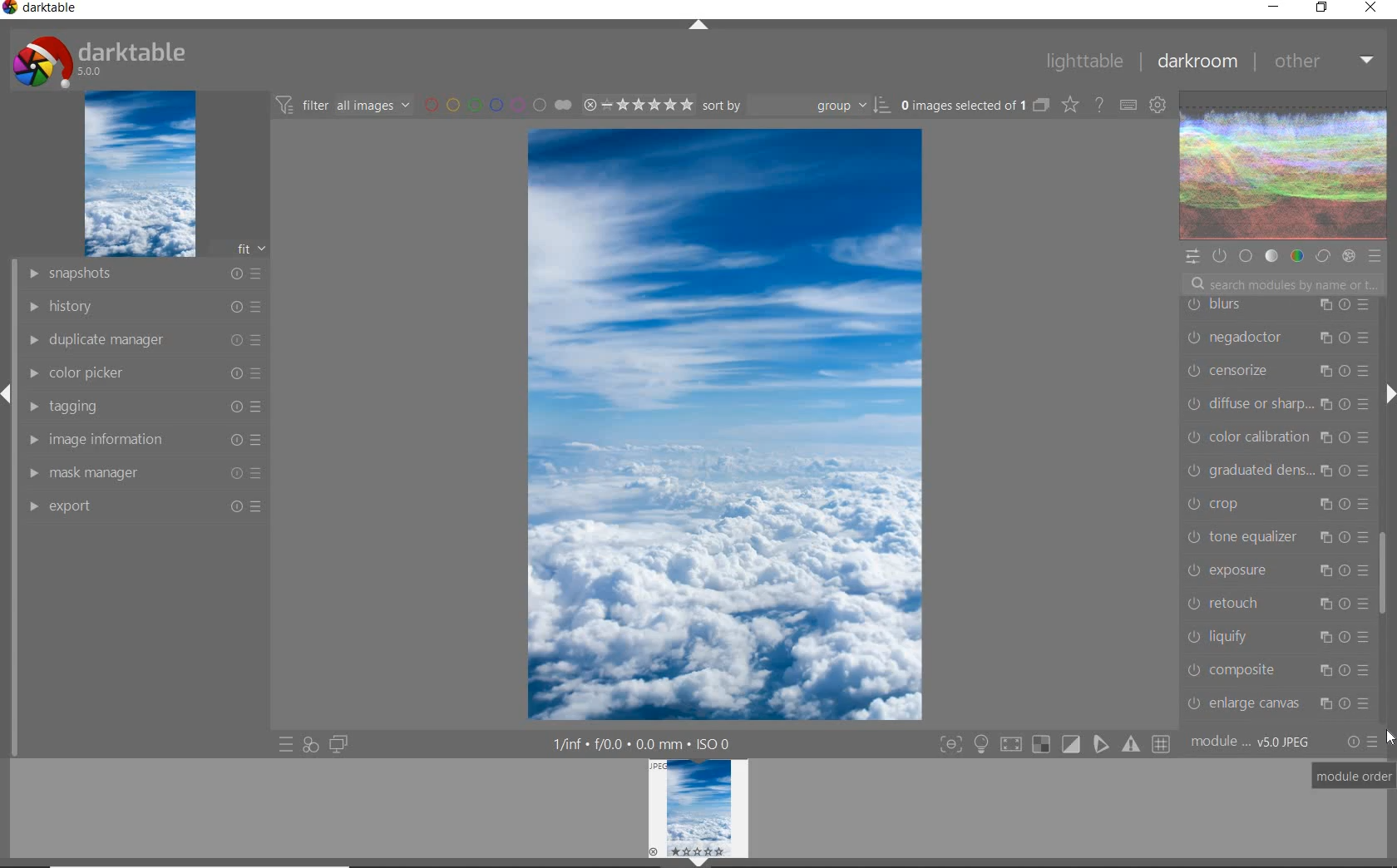 The height and width of the screenshot is (868, 1397). Describe the element at coordinates (698, 27) in the screenshot. I see `Up` at that location.